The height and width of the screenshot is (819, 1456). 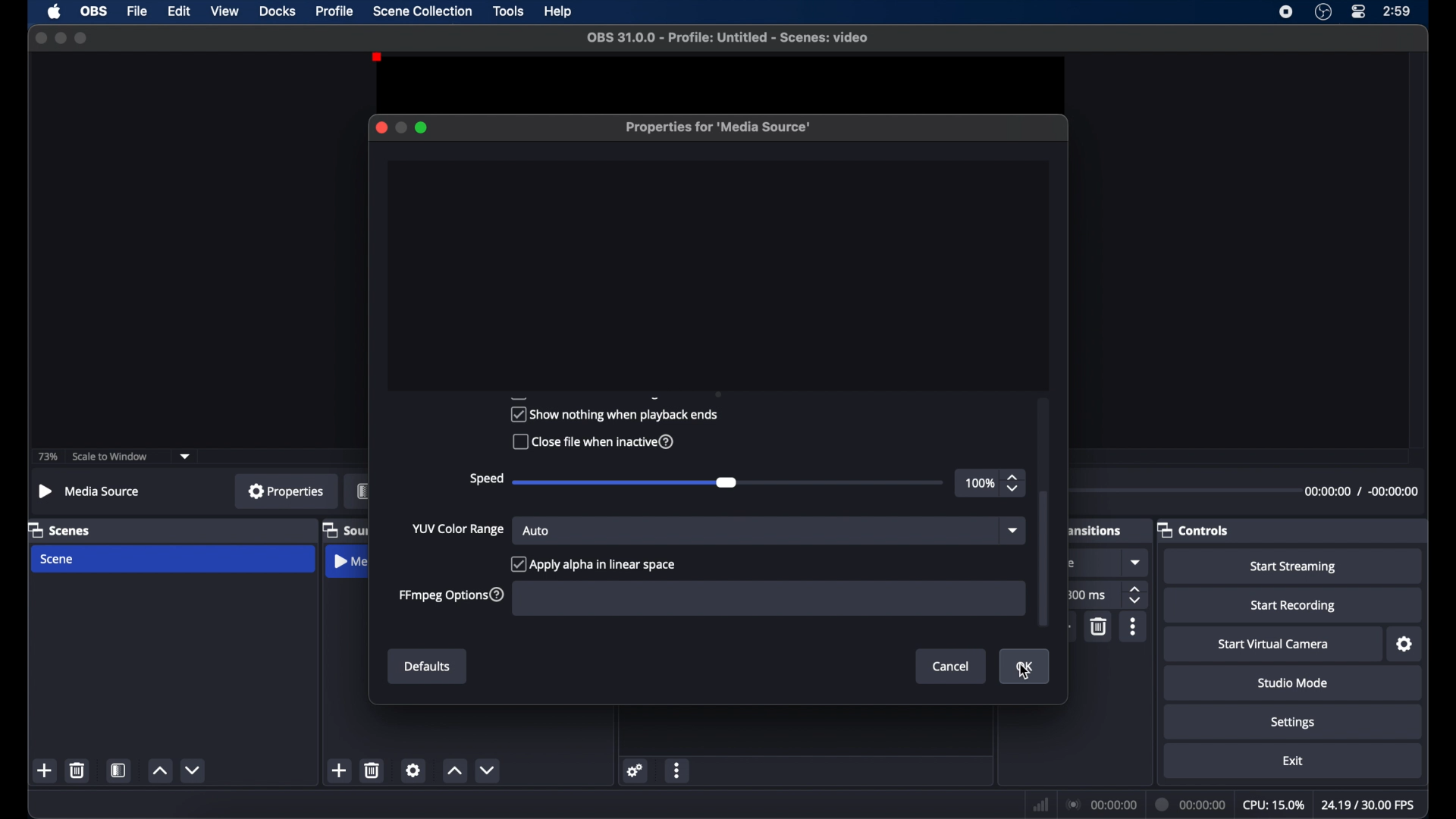 What do you see at coordinates (160, 771) in the screenshot?
I see `increment` at bounding box center [160, 771].